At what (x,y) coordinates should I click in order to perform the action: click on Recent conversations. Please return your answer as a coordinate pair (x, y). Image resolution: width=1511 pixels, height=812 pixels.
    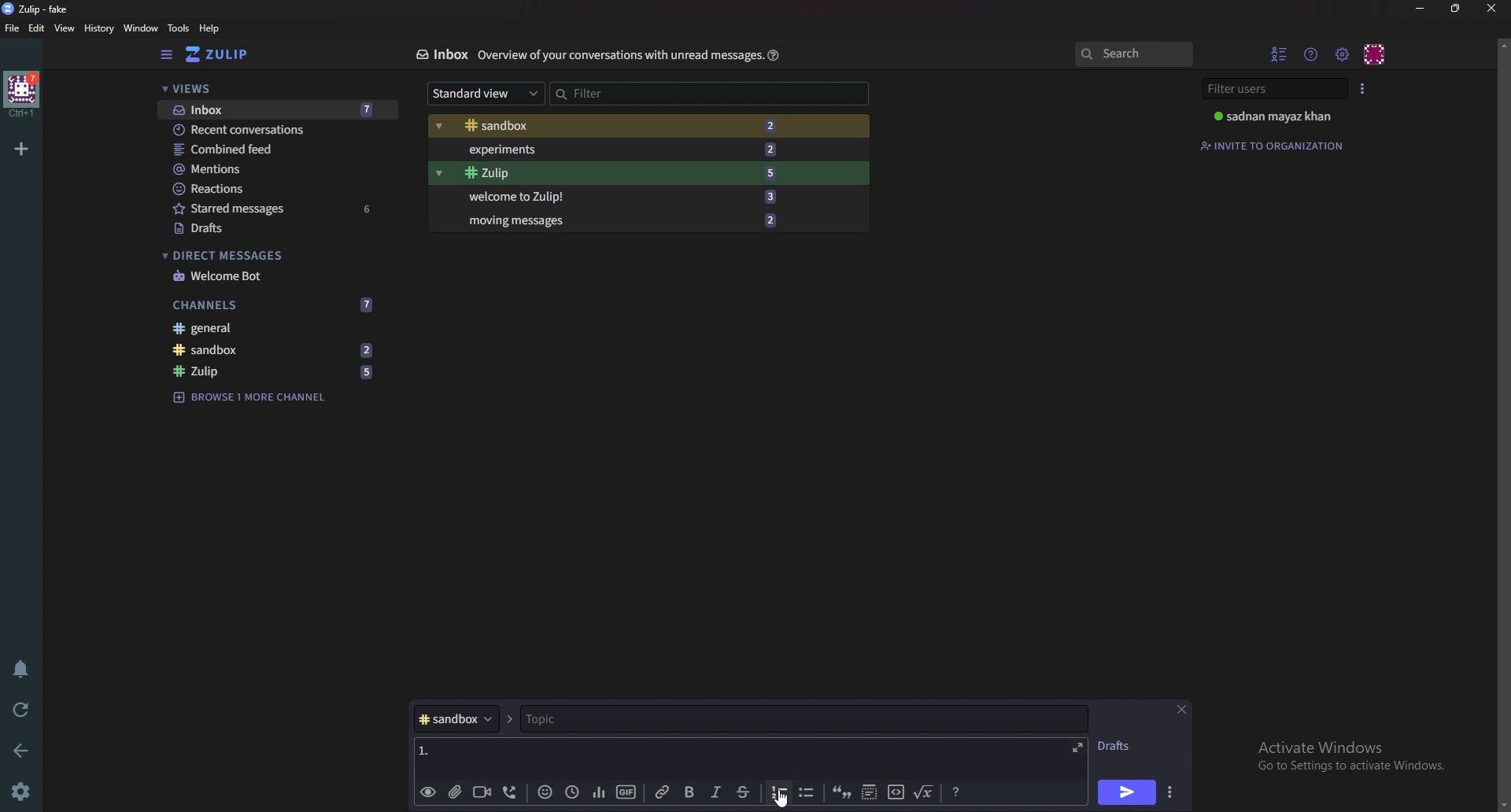
    Looking at the image, I should click on (278, 131).